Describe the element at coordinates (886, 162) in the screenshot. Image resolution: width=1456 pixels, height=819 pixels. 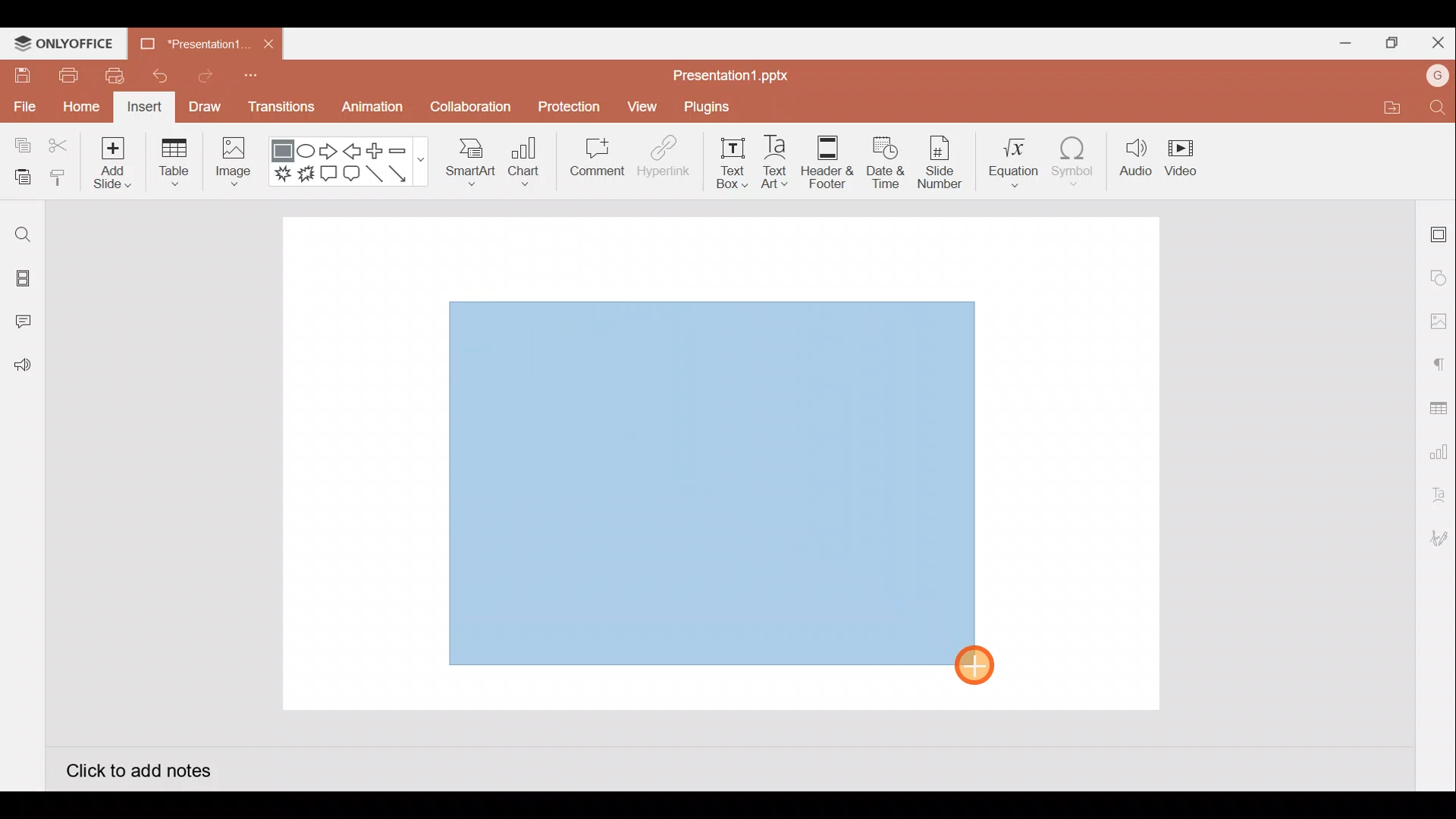
I see `Date & time` at that location.